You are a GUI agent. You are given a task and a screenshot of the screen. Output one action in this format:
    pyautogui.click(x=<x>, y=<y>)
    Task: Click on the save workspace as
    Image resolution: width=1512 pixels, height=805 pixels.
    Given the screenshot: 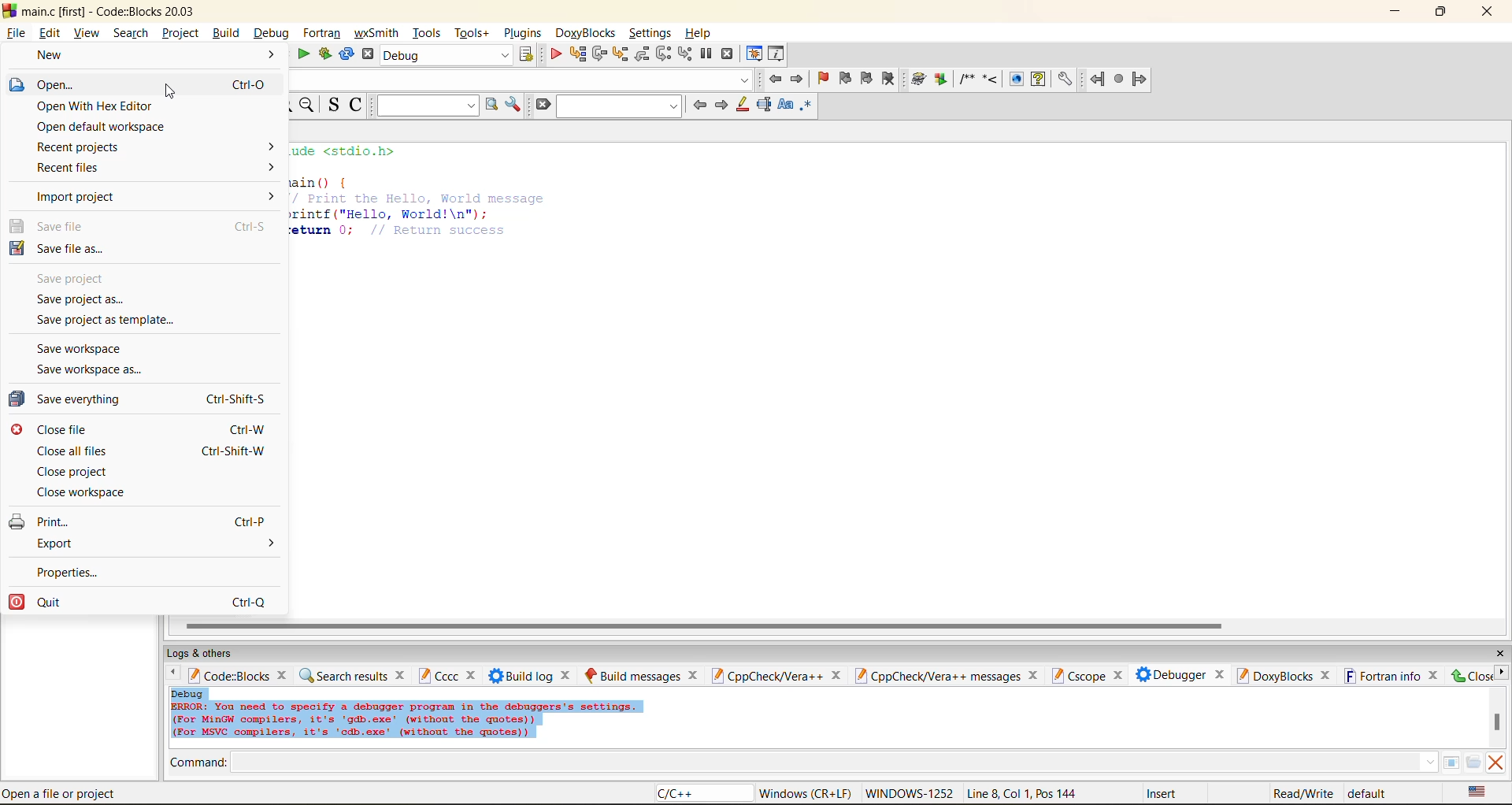 What is the action you would take?
    pyautogui.click(x=100, y=372)
    